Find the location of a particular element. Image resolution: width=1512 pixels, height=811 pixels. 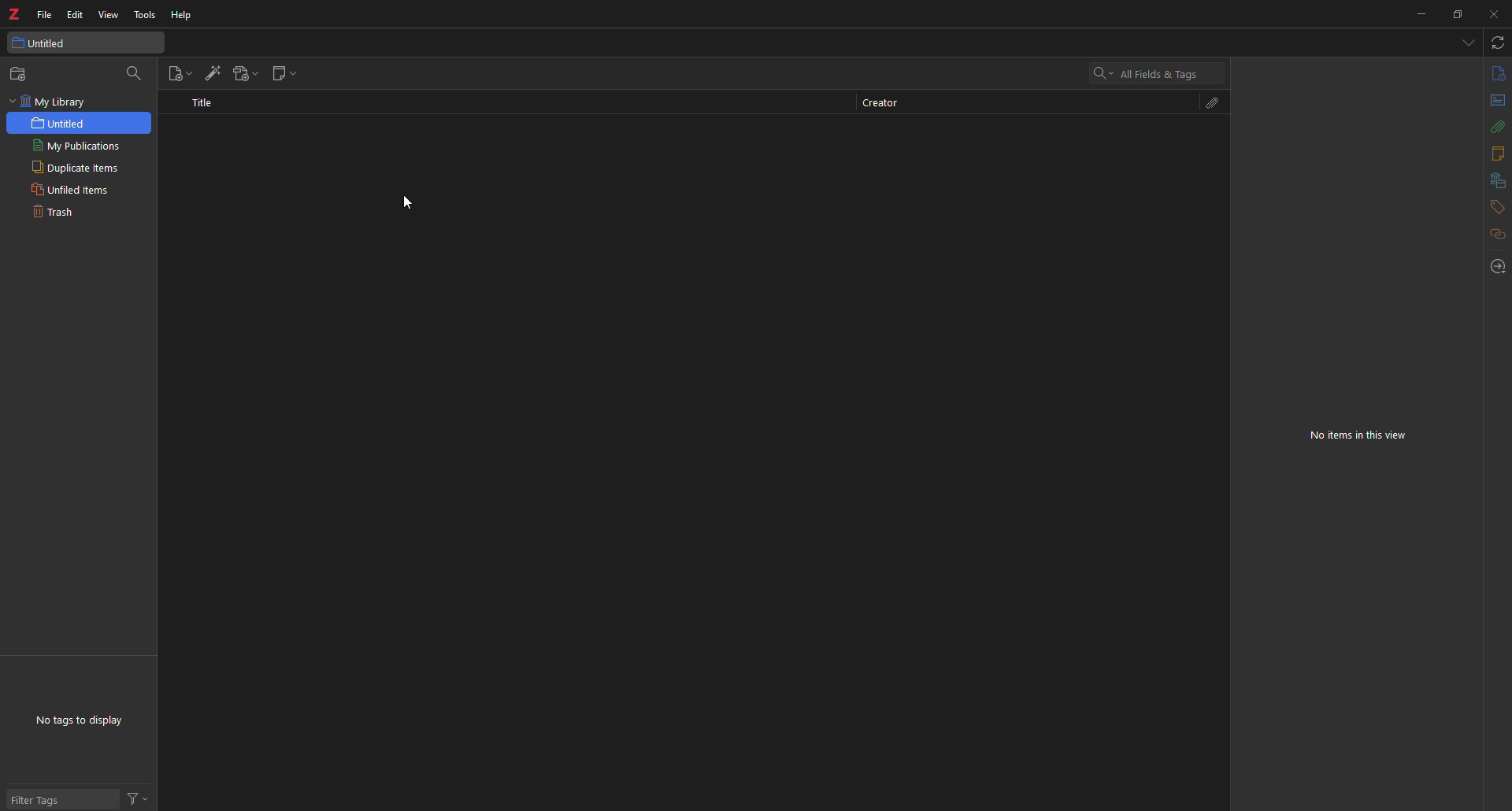

help is located at coordinates (185, 14).